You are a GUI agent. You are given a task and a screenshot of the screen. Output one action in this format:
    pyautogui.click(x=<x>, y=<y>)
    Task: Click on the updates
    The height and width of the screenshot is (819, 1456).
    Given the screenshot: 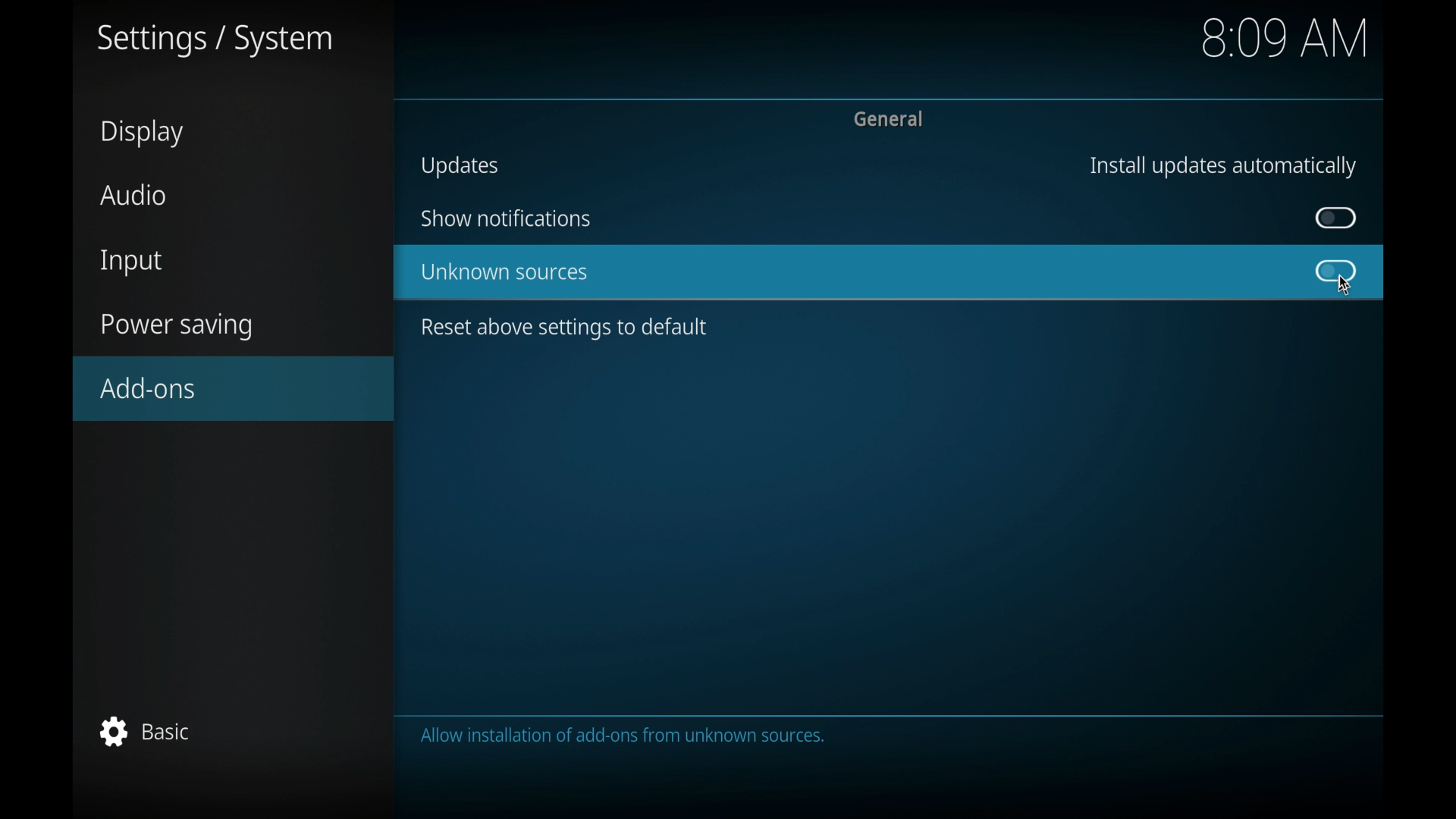 What is the action you would take?
    pyautogui.click(x=460, y=166)
    